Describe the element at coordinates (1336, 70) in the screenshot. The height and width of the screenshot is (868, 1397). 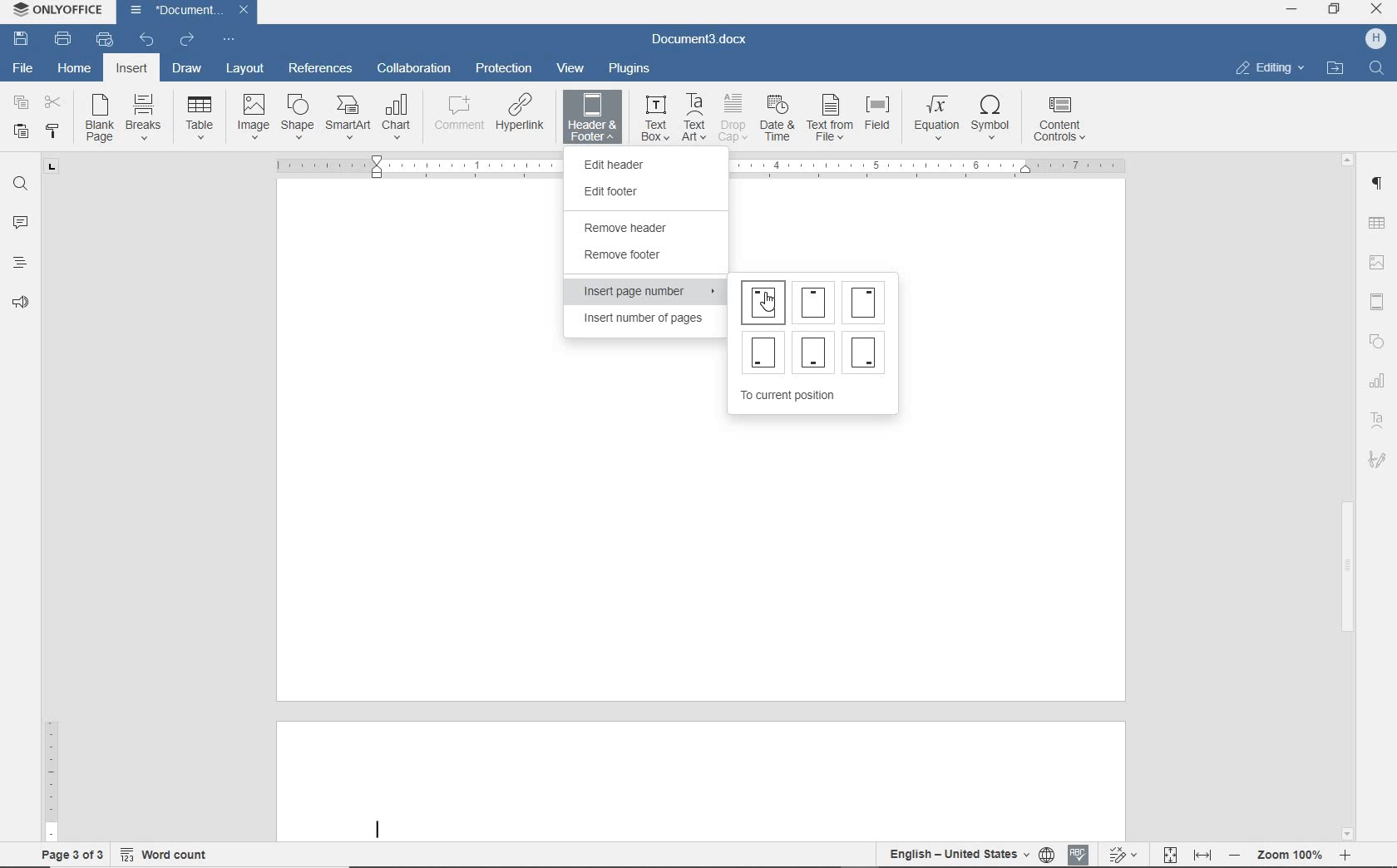
I see `OPEN FILE LOCATION` at that location.